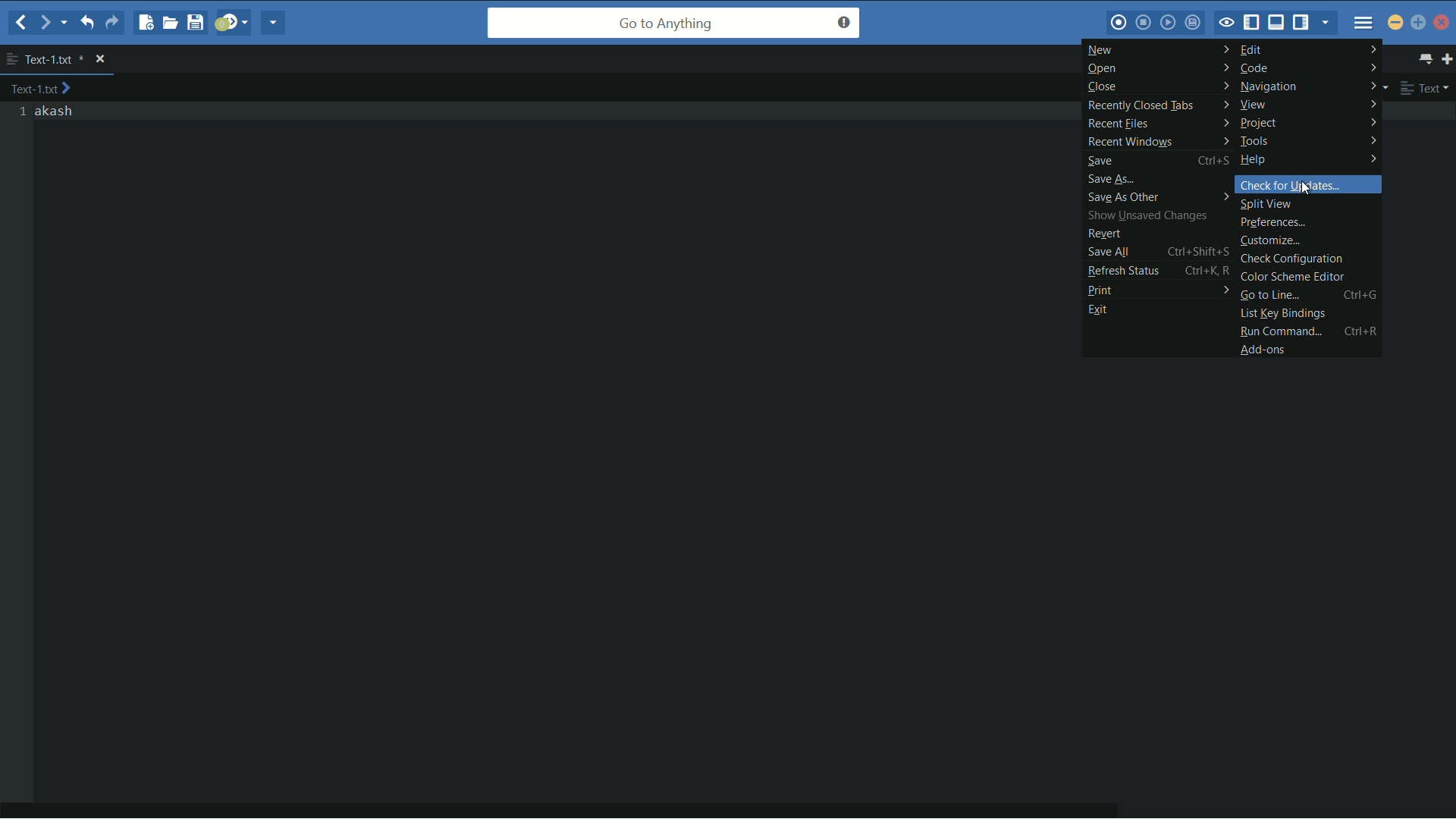 This screenshot has width=1456, height=819. I want to click on navigation, so click(1308, 86).